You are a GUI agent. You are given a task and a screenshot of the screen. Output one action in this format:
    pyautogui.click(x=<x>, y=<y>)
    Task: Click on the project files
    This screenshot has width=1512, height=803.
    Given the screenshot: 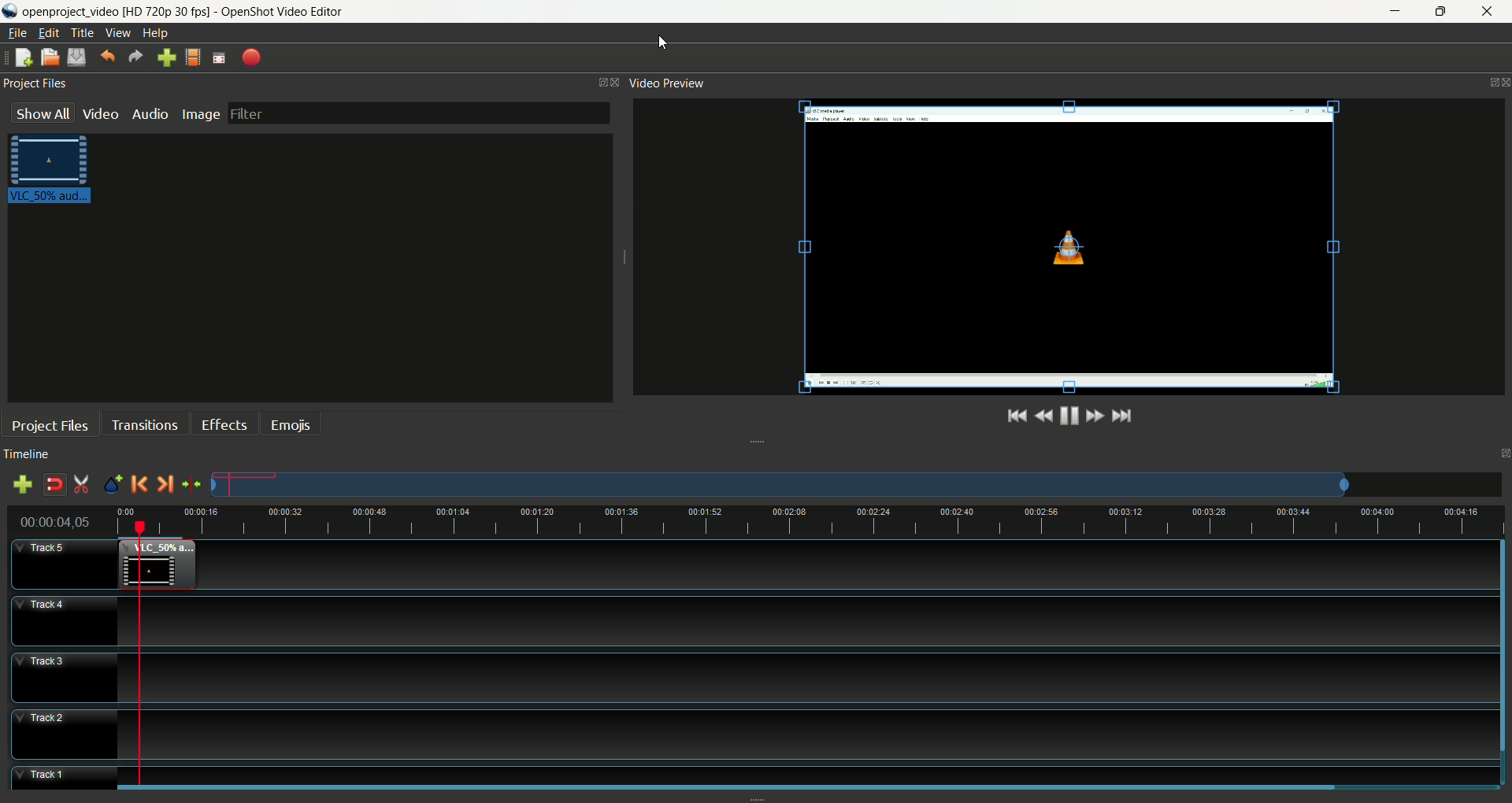 What is the action you would take?
    pyautogui.click(x=35, y=81)
    